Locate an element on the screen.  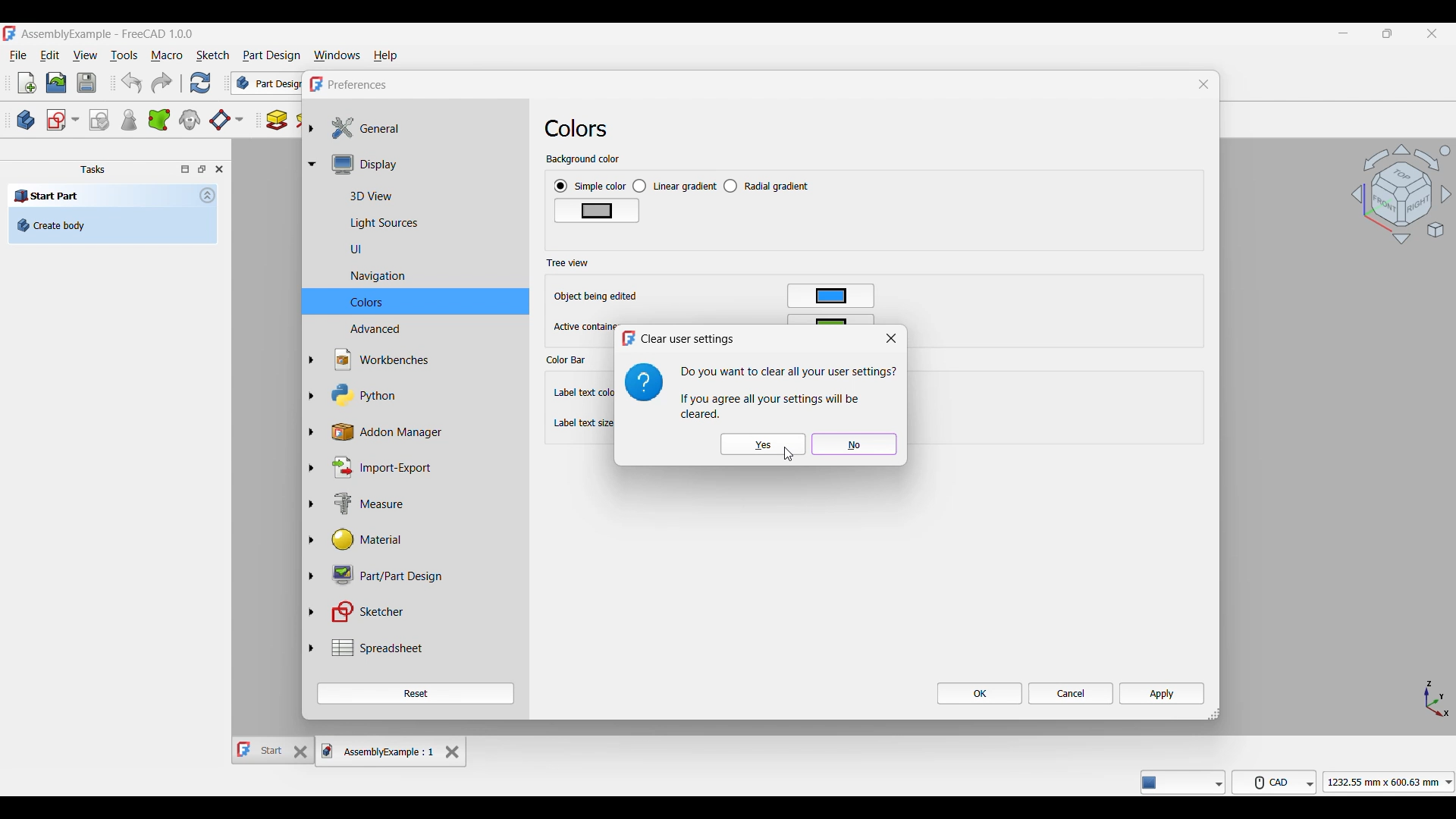
Apply is located at coordinates (1162, 693).